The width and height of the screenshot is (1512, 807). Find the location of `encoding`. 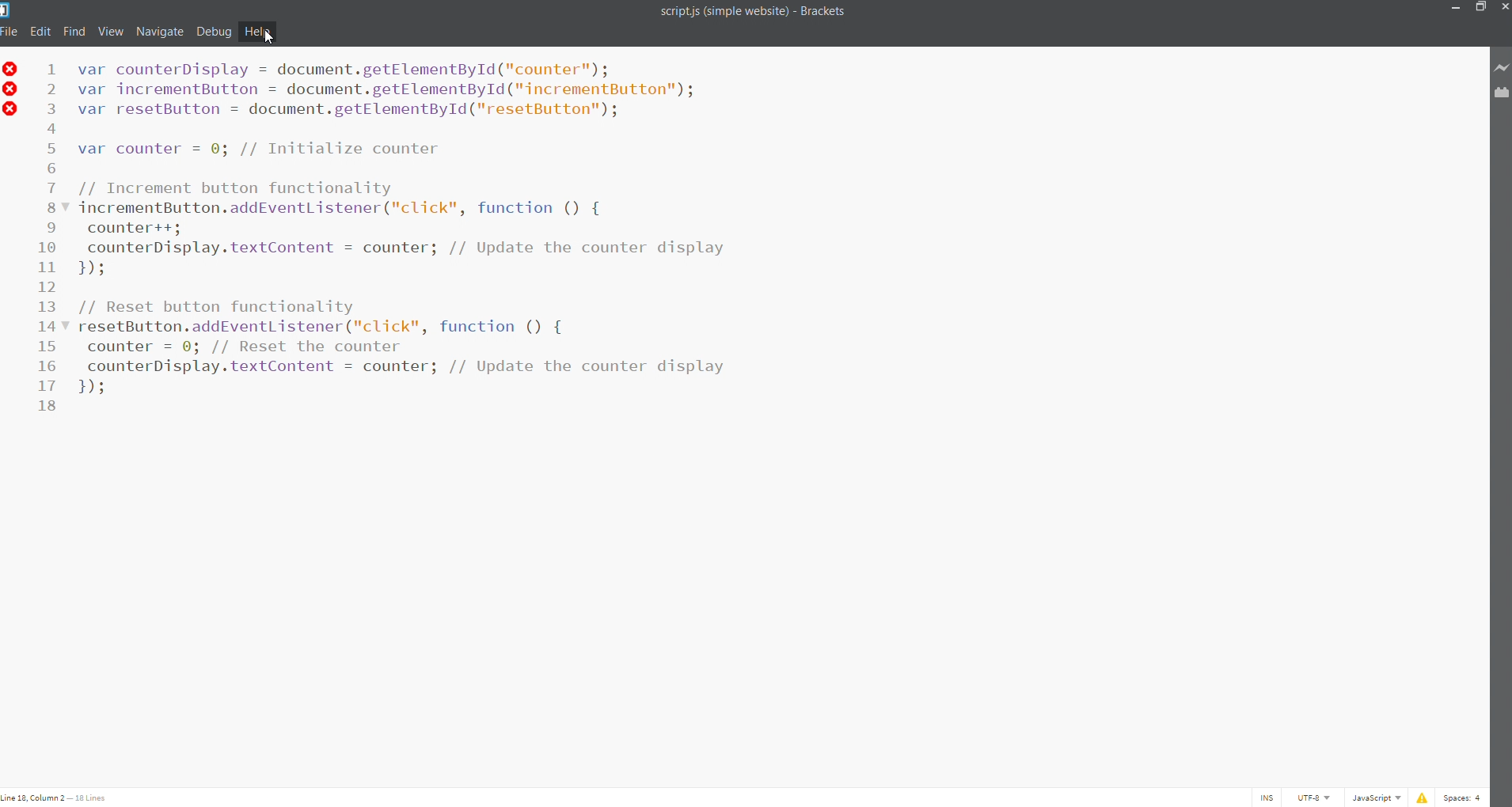

encoding is located at coordinates (1314, 798).